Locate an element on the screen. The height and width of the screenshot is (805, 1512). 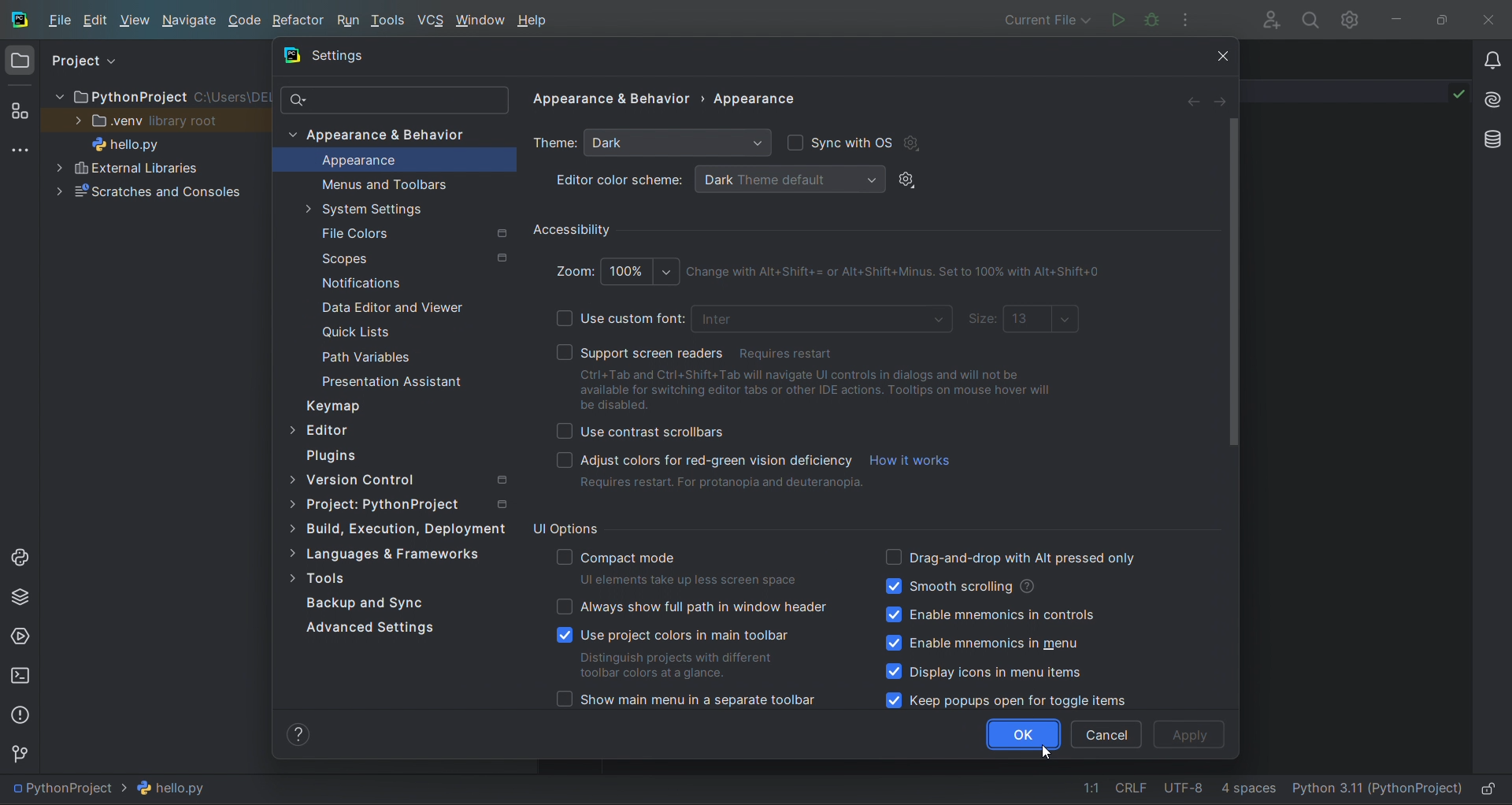
Quick List is located at coordinates (393, 336).